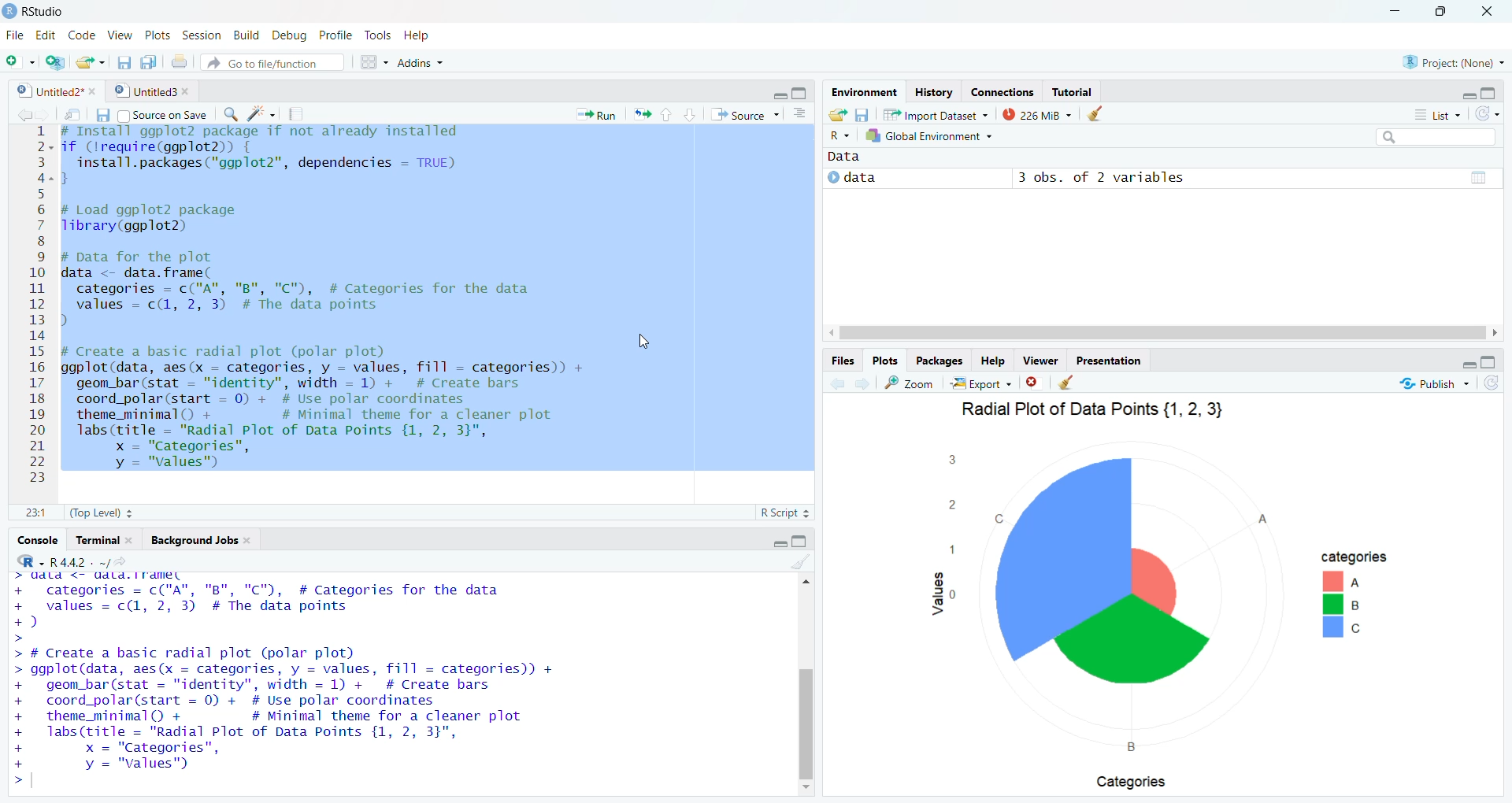  What do you see at coordinates (120, 563) in the screenshot?
I see `view the current working directory` at bounding box center [120, 563].